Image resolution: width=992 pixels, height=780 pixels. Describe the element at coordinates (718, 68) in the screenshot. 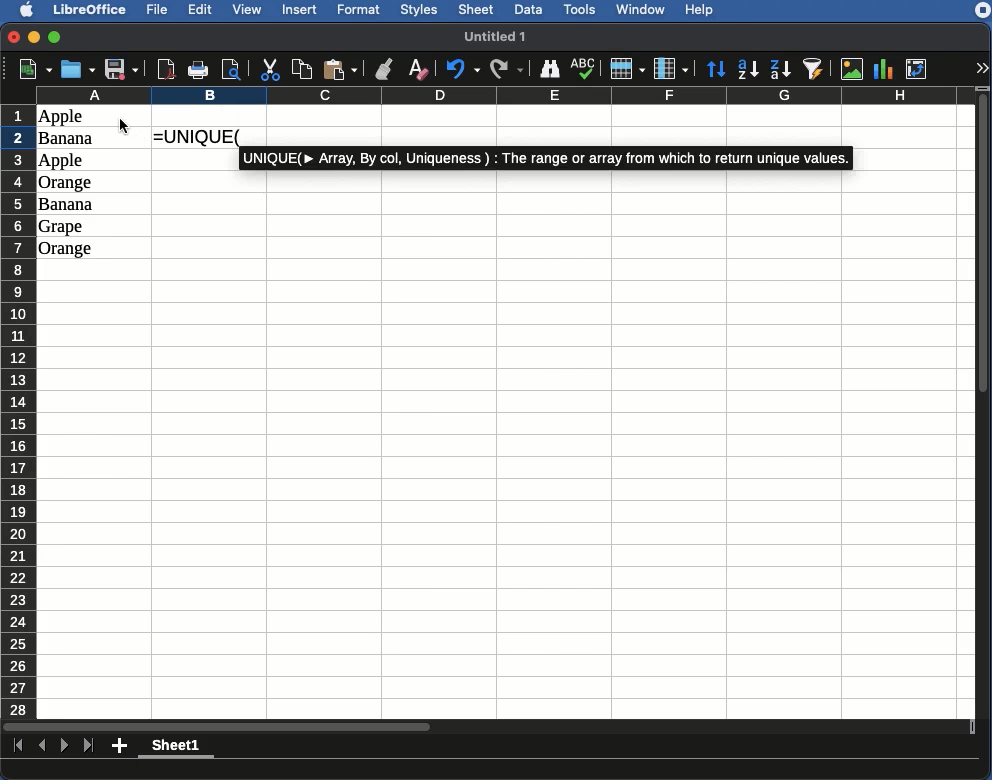

I see `Sort` at that location.